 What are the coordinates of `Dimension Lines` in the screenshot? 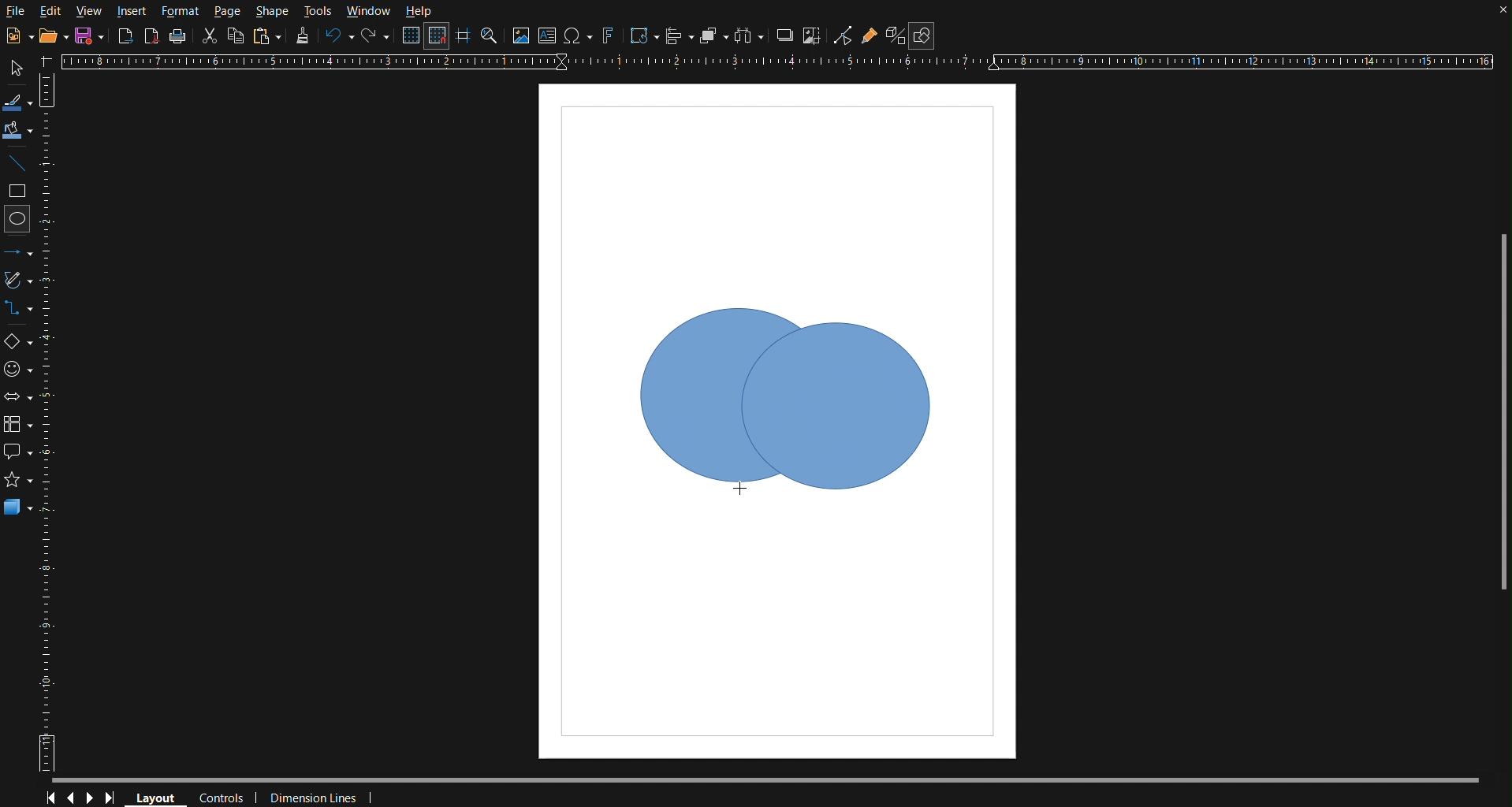 It's located at (315, 795).